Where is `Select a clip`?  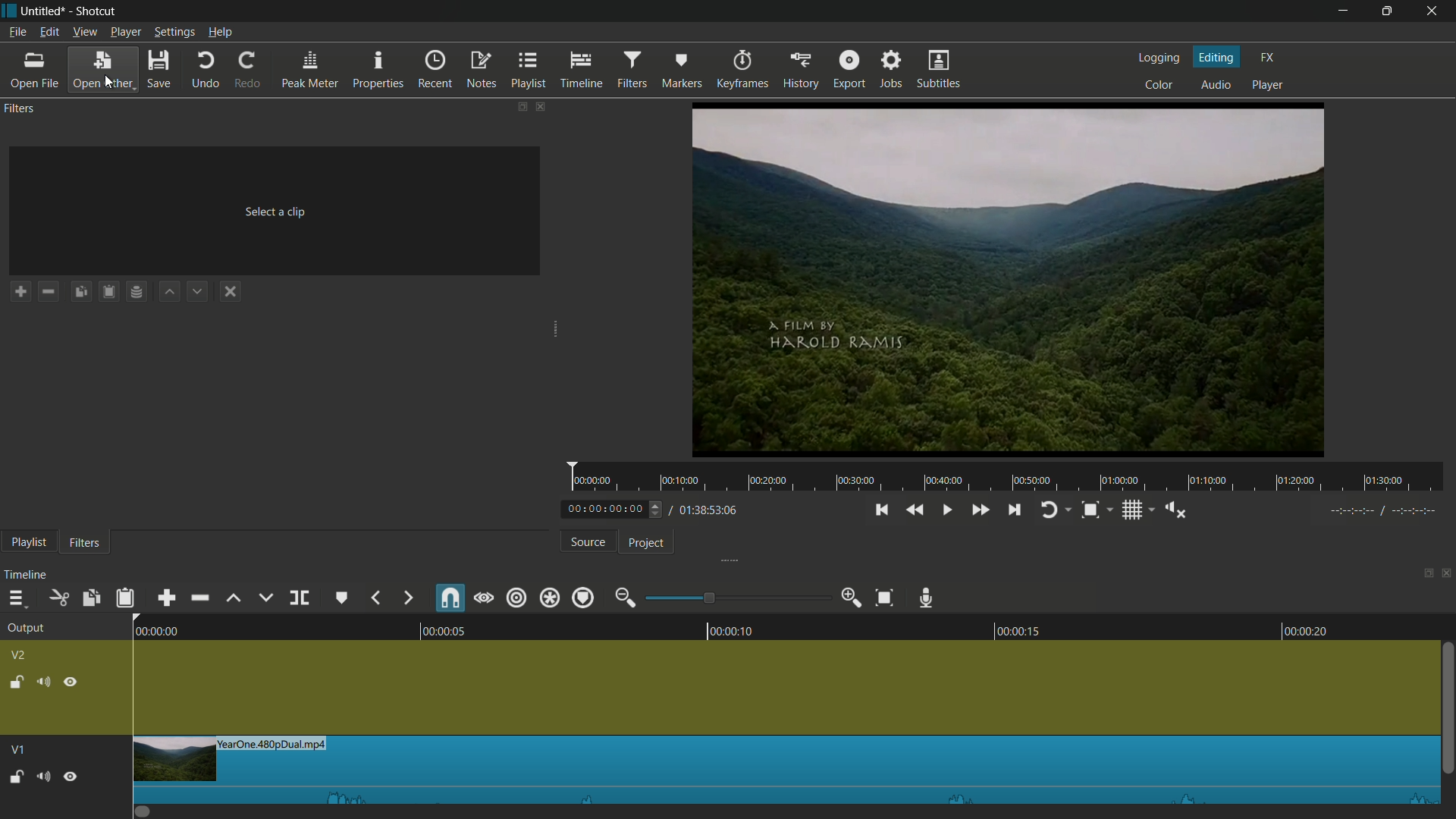
Select a clip is located at coordinates (277, 209).